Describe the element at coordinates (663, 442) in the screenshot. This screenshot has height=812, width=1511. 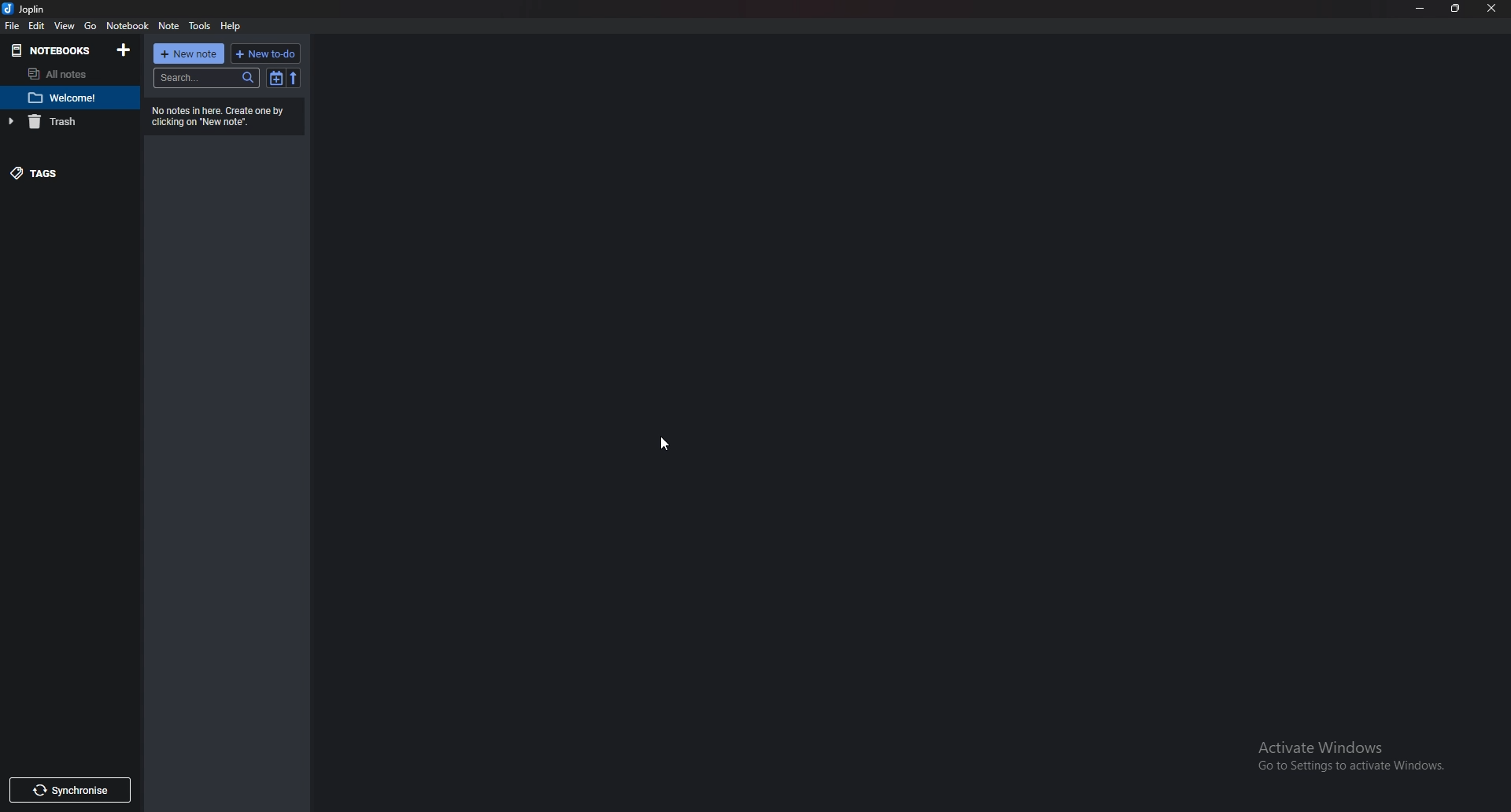
I see `Cursor` at that location.